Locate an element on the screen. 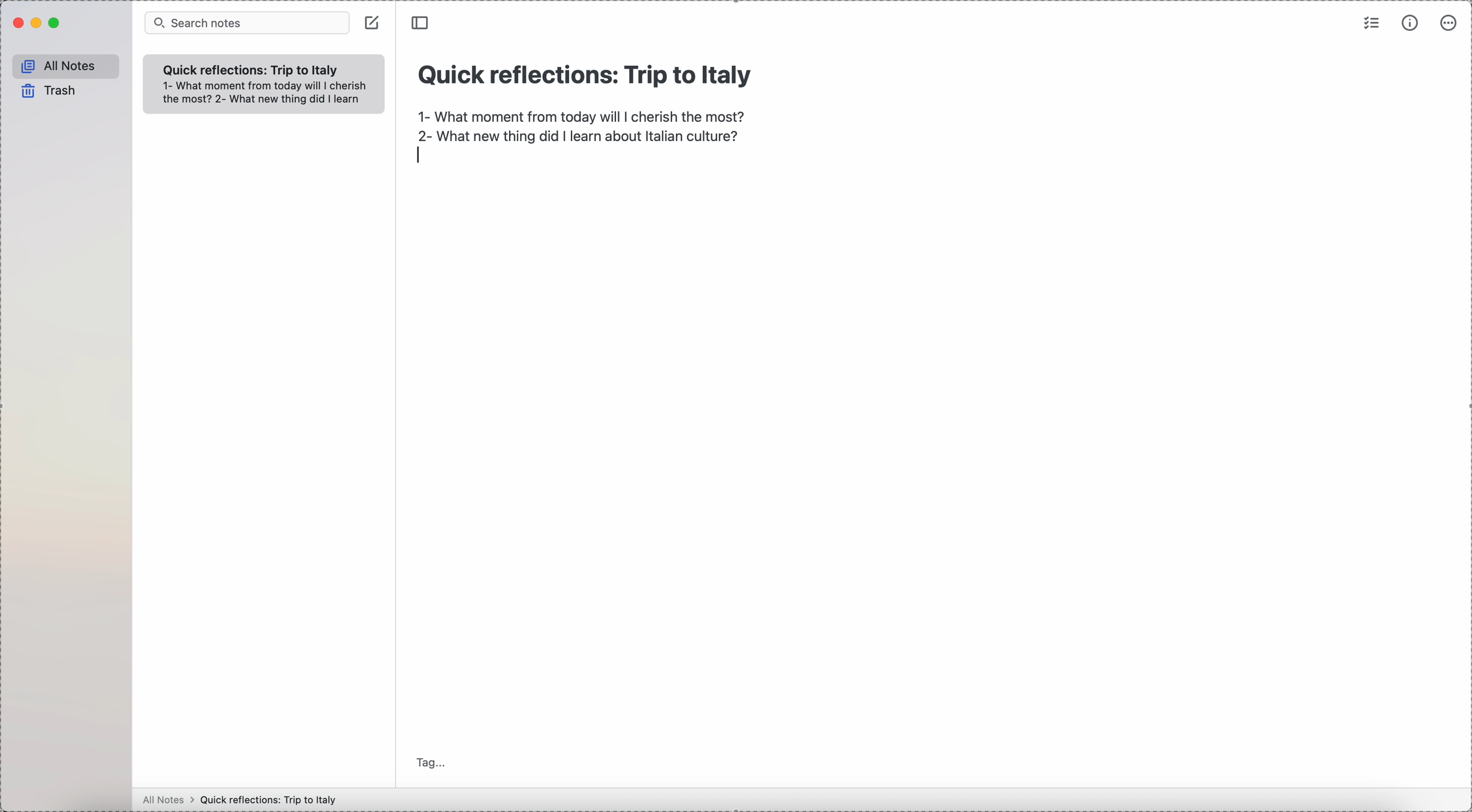 This screenshot has height=812, width=1472. maximize is located at coordinates (56, 23).